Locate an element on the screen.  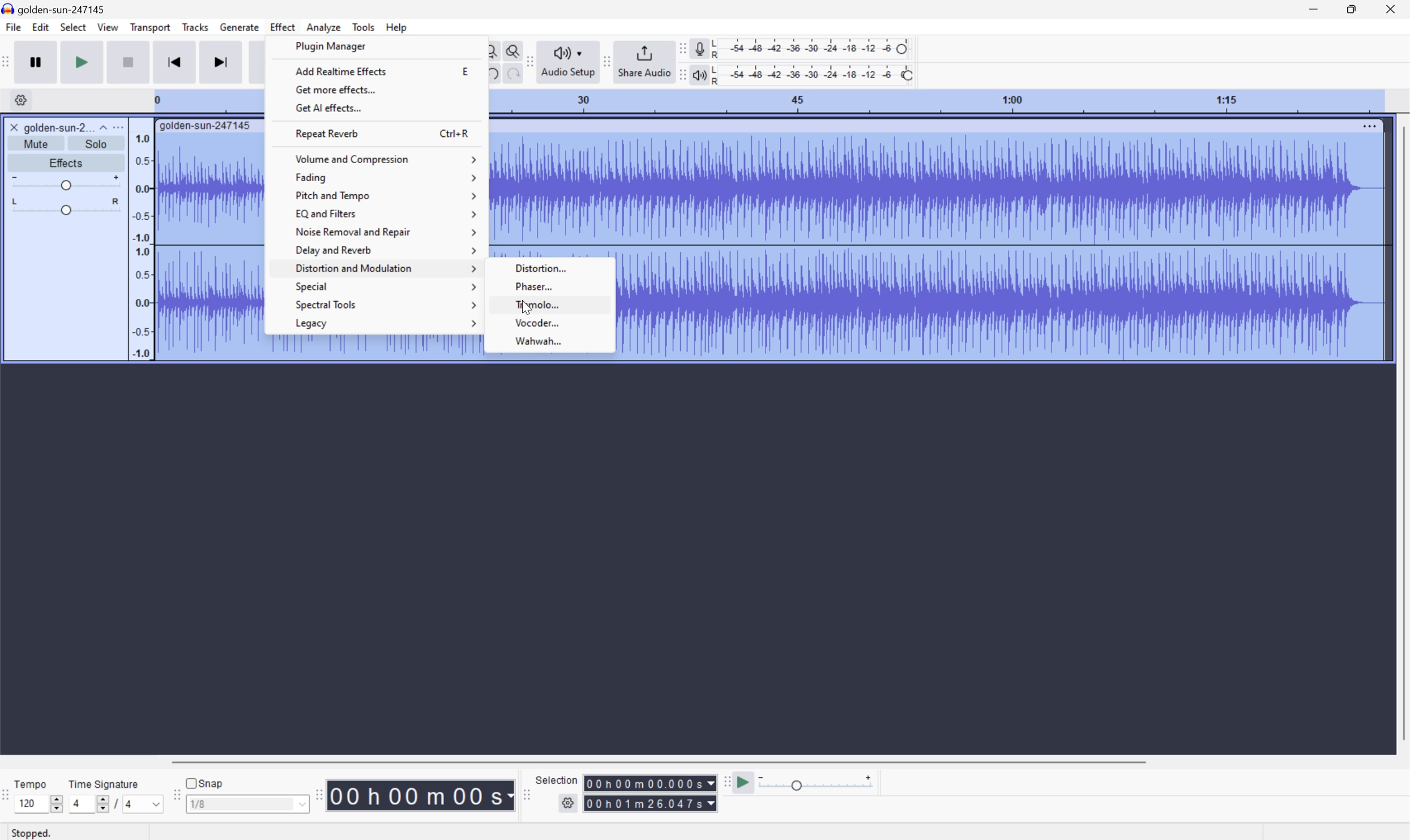
Record meter is located at coordinates (699, 48).